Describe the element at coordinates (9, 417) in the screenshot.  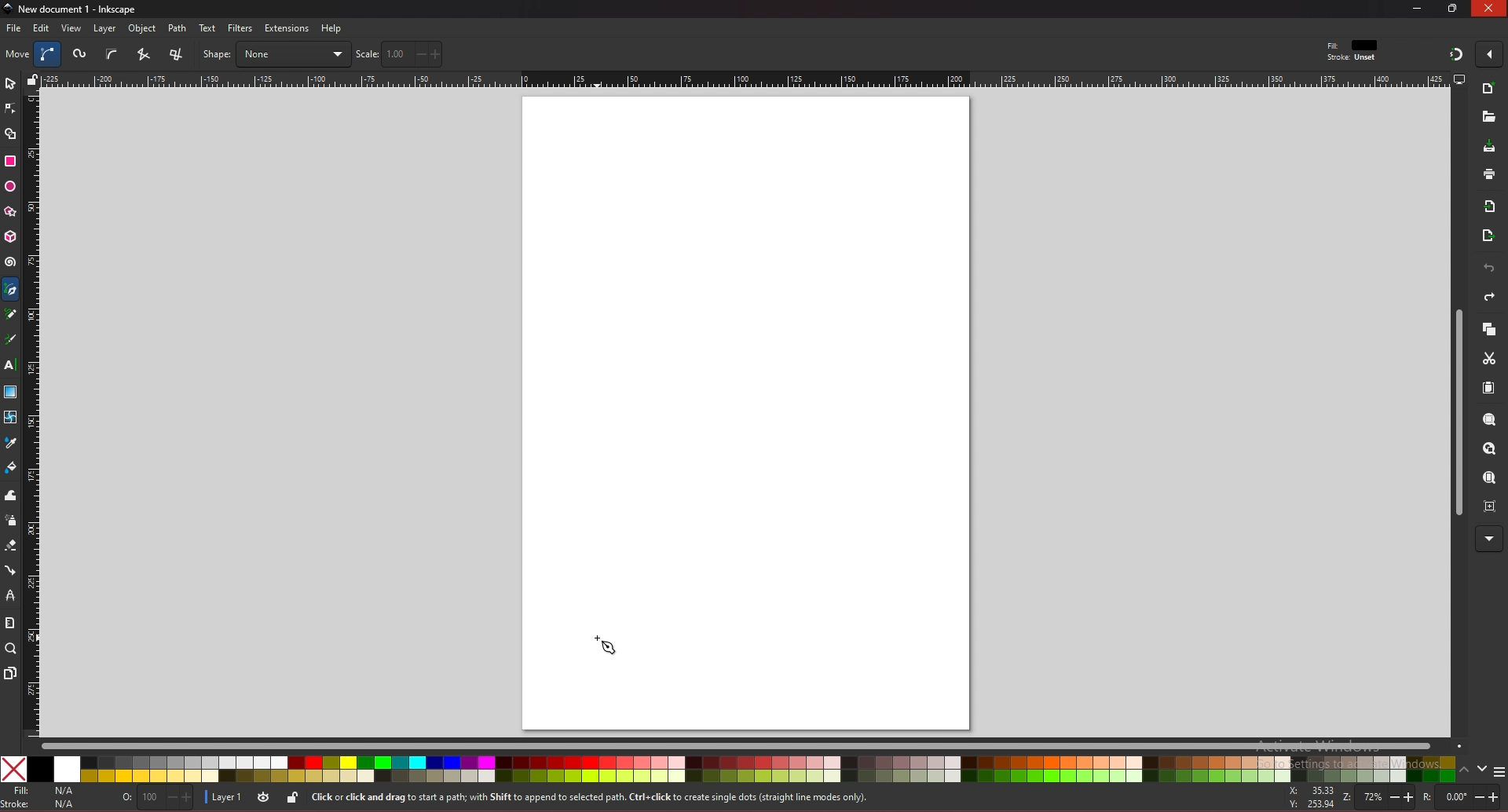
I see `mesh` at that location.